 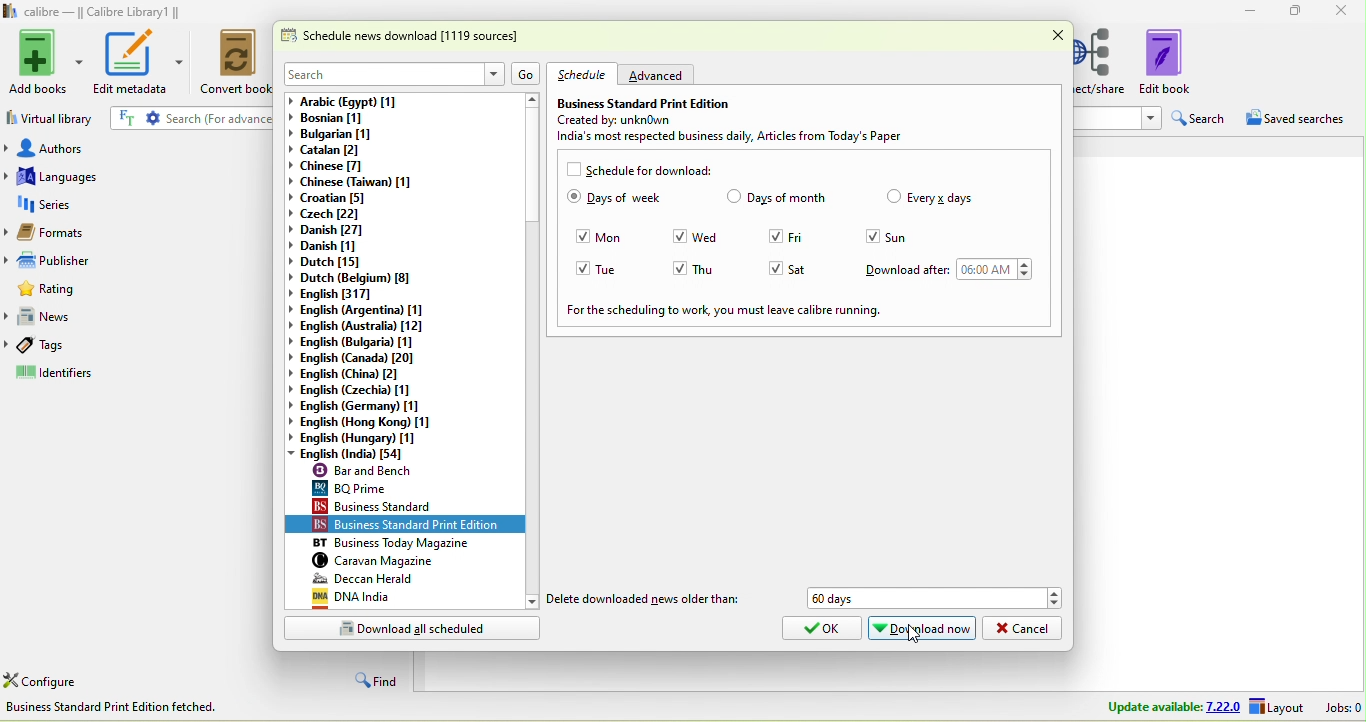 I want to click on business standard print edition, so click(x=414, y=525).